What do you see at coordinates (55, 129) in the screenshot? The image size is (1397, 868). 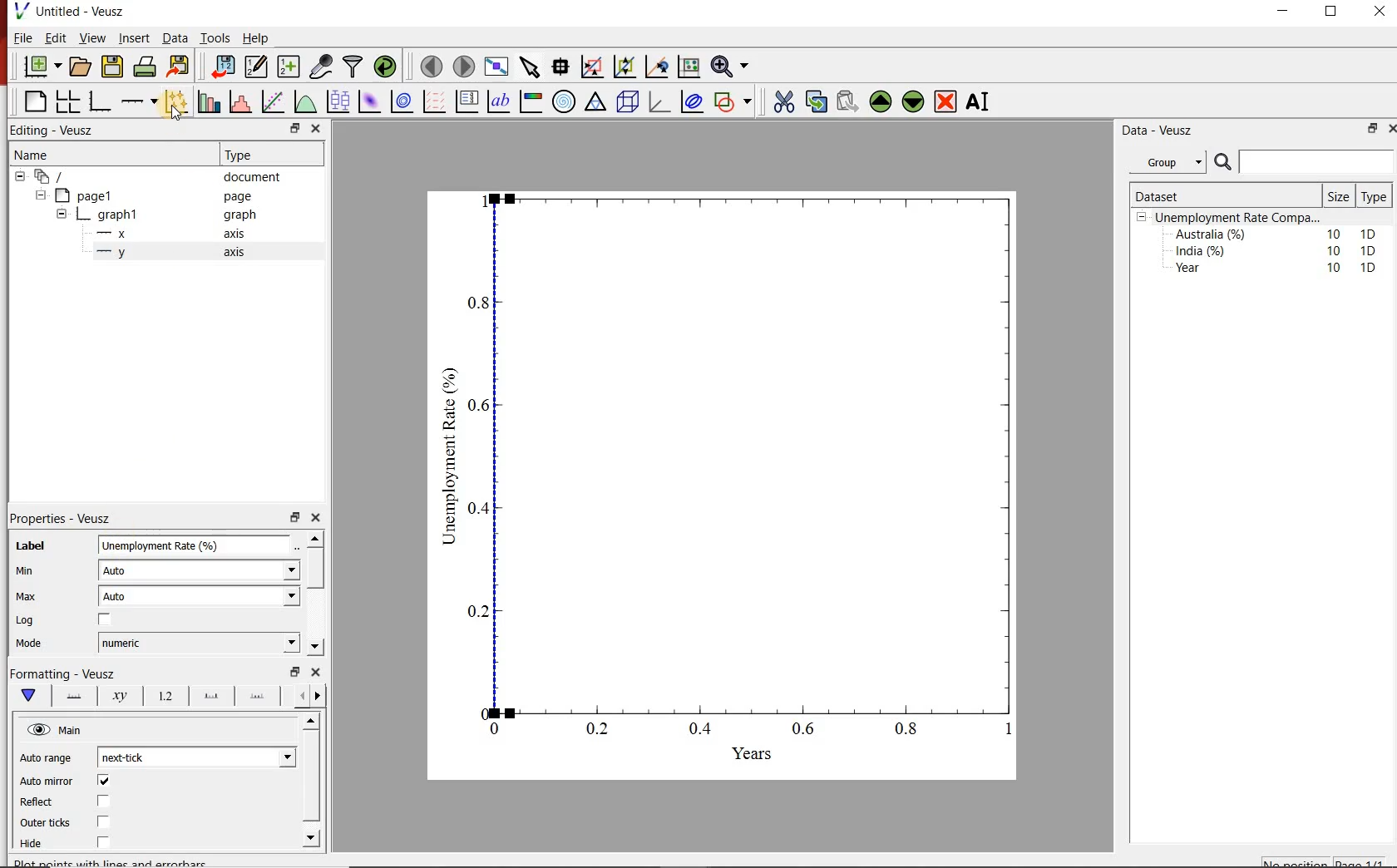 I see `Editing - Veusz` at bounding box center [55, 129].